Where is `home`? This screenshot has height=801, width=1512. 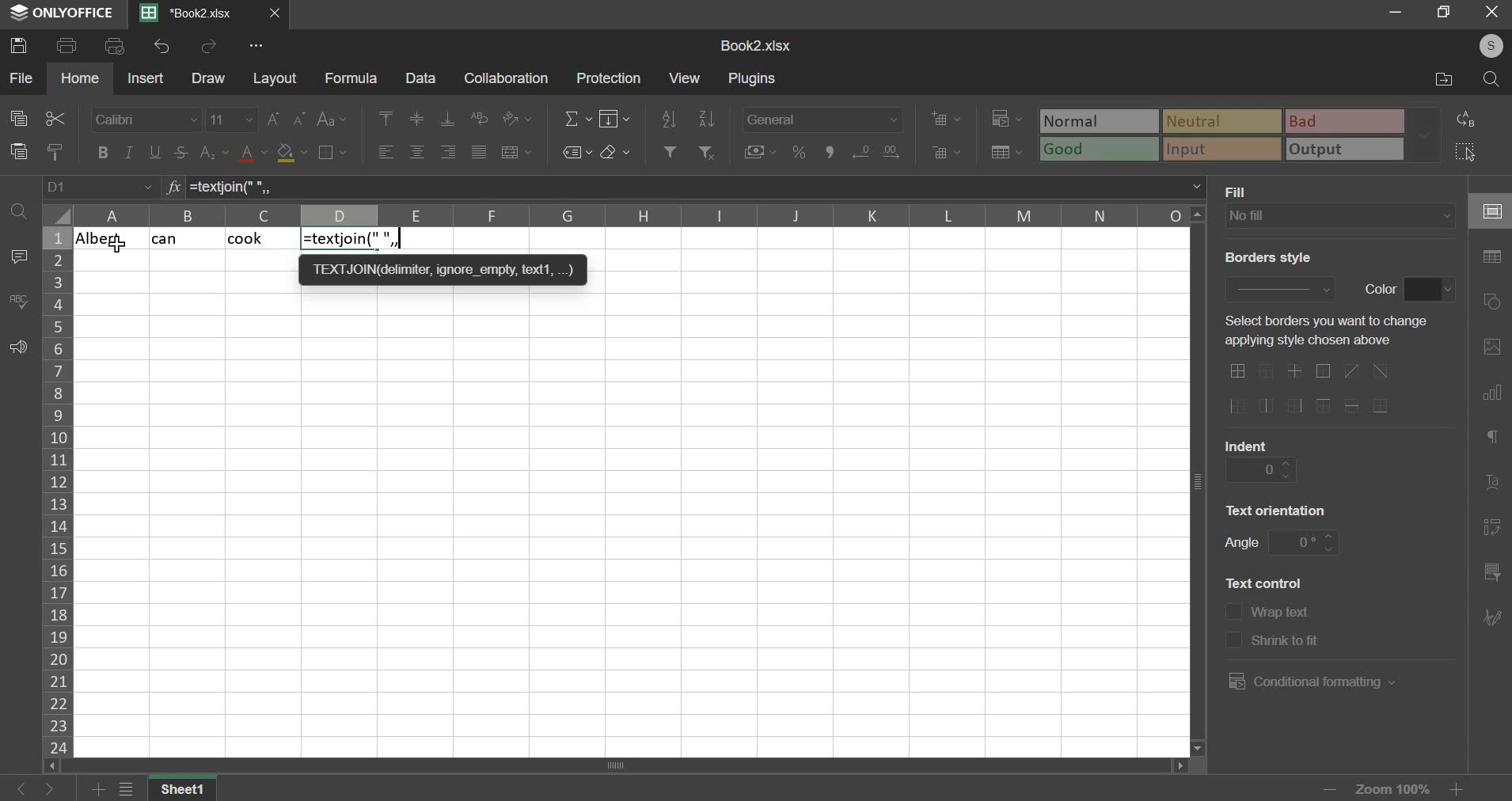 home is located at coordinates (81, 78).